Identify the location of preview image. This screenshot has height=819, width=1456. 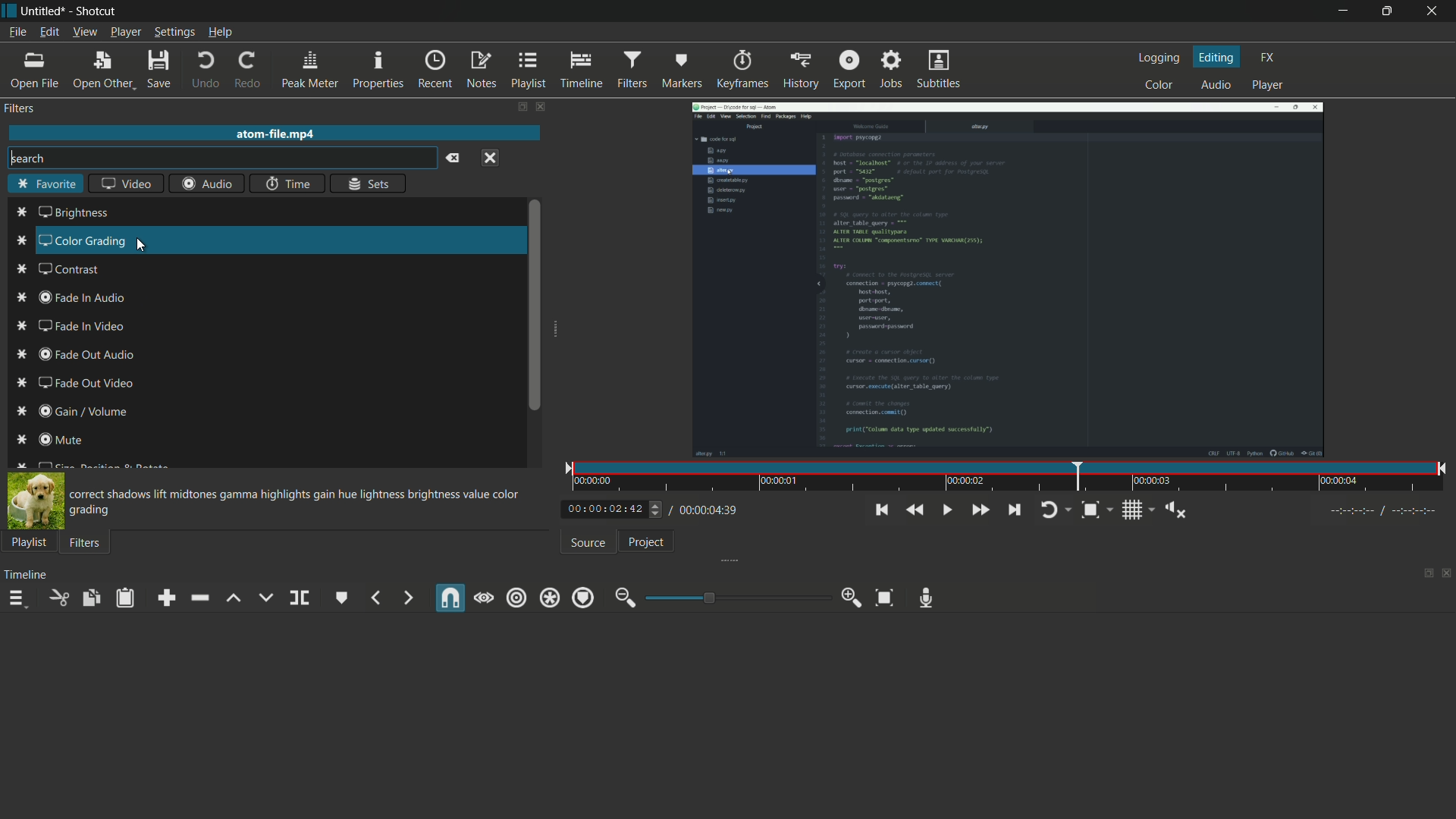
(34, 502).